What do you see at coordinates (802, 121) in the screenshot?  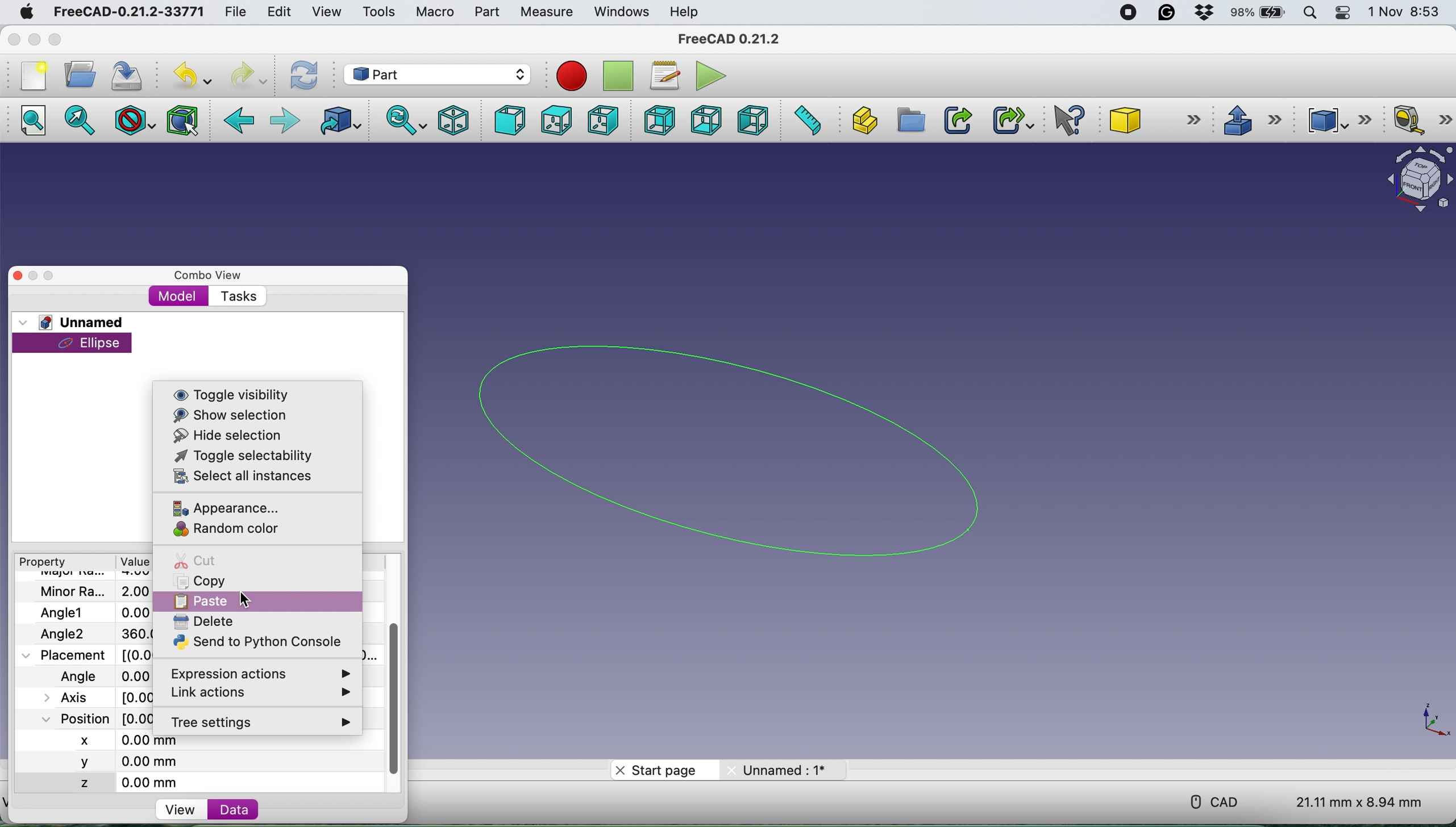 I see `measure distance` at bounding box center [802, 121].